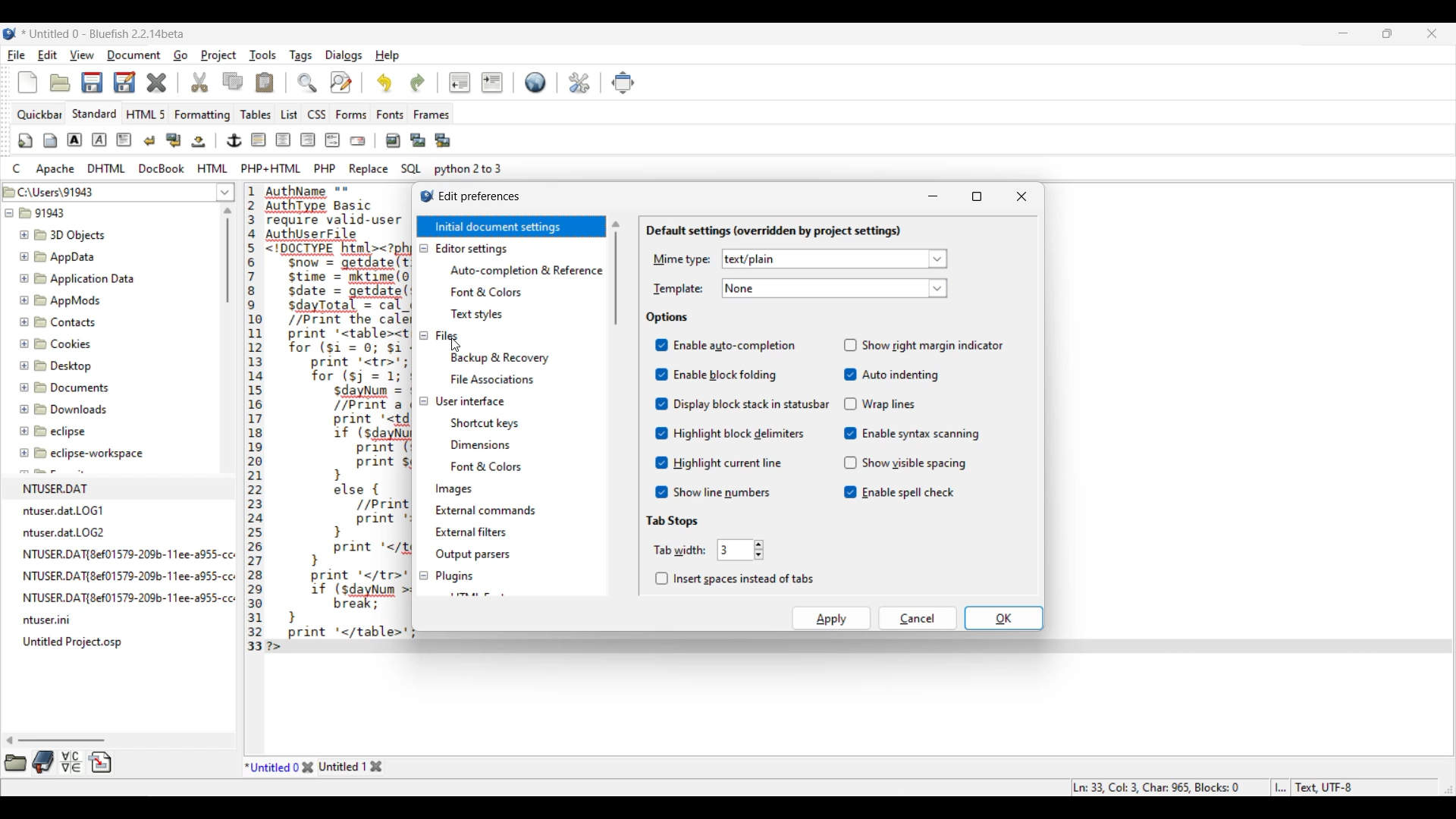 This screenshot has width=1456, height=819. What do you see at coordinates (106, 417) in the screenshot?
I see `File explorer` at bounding box center [106, 417].